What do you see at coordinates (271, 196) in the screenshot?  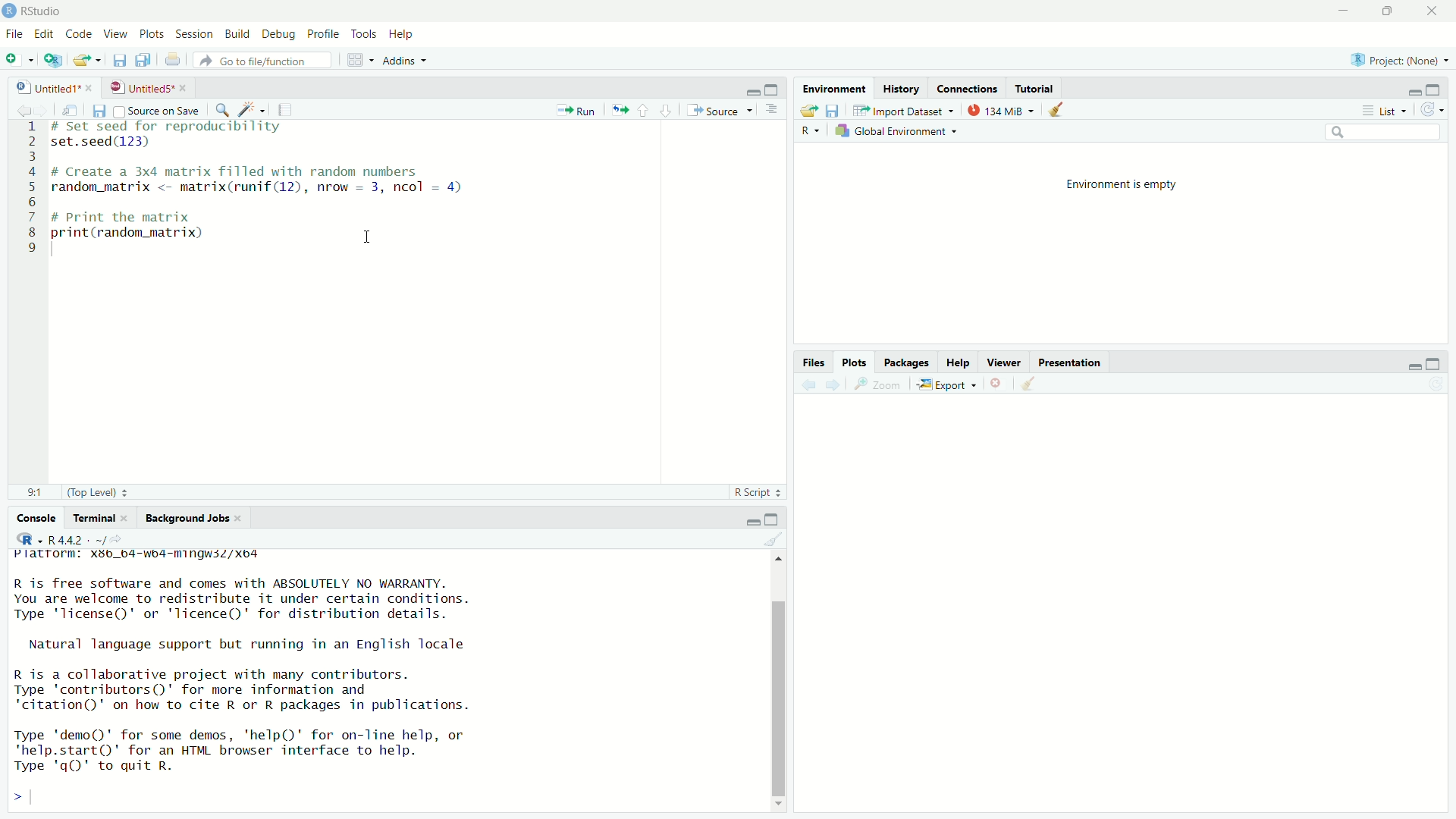 I see `1 # Set seed for reproducibility

2 set.seed(123)

3

4 # Create a 3x4 matrix filled with random numbers

5 random_matrix <- matrix(runif(12), nrow = 3, ncol = 4)
6

7 # Print the matrix

8 print(random_matrix) 1

9` at bounding box center [271, 196].